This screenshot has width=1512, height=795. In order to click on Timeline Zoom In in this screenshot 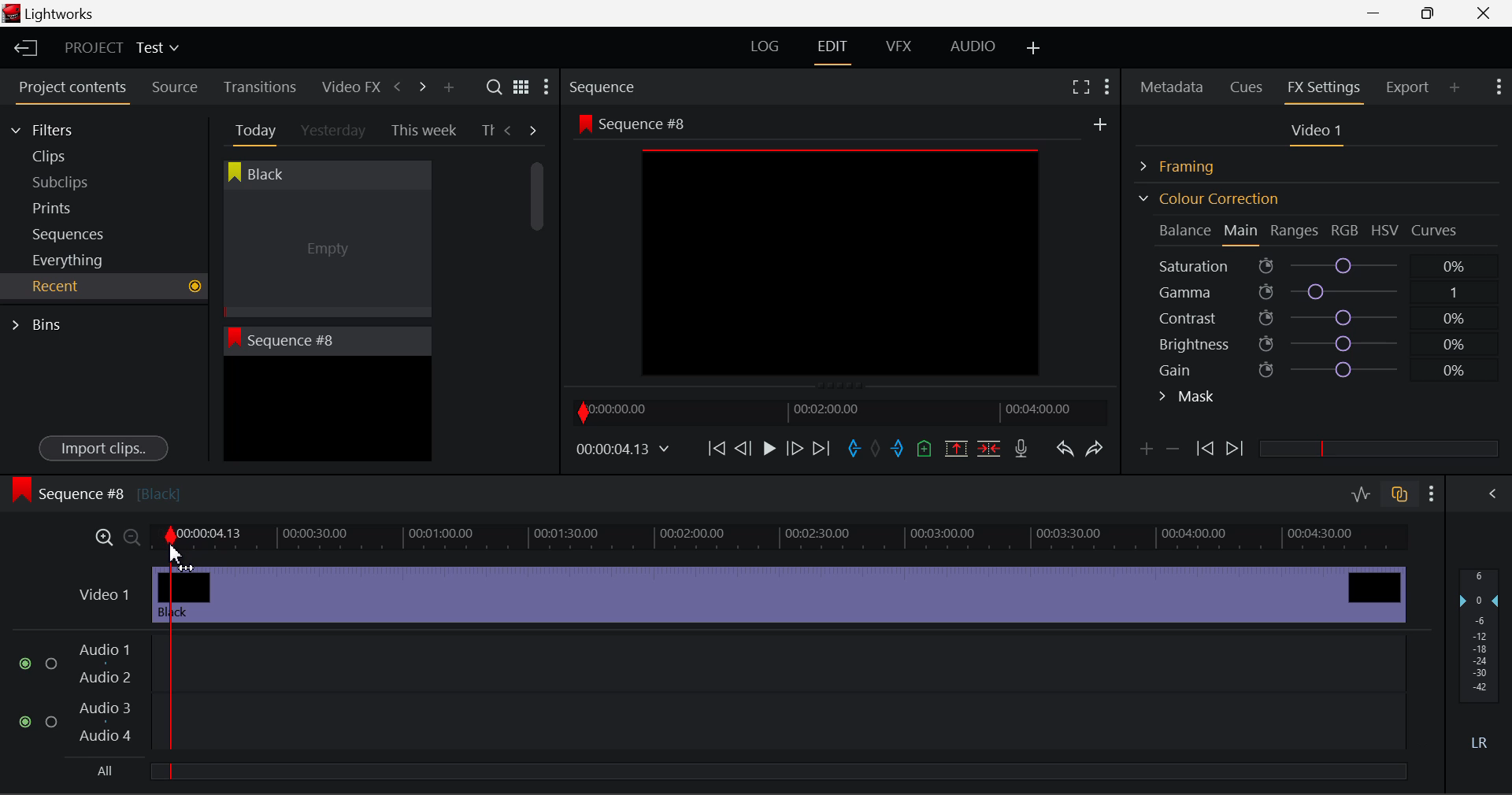, I will do `click(101, 537)`.